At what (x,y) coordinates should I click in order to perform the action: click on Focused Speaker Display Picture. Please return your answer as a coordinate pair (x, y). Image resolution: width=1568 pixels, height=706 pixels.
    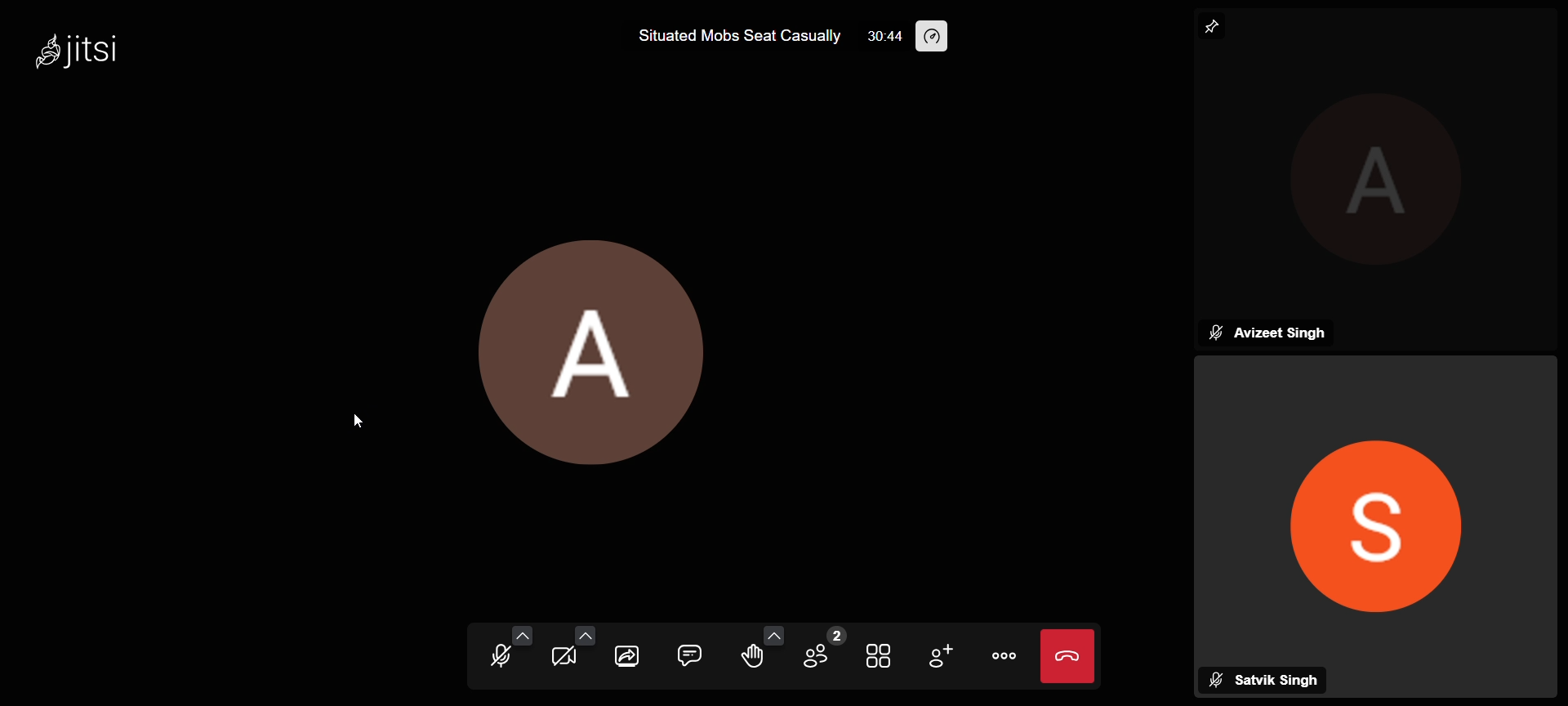
    Looking at the image, I should click on (621, 344).